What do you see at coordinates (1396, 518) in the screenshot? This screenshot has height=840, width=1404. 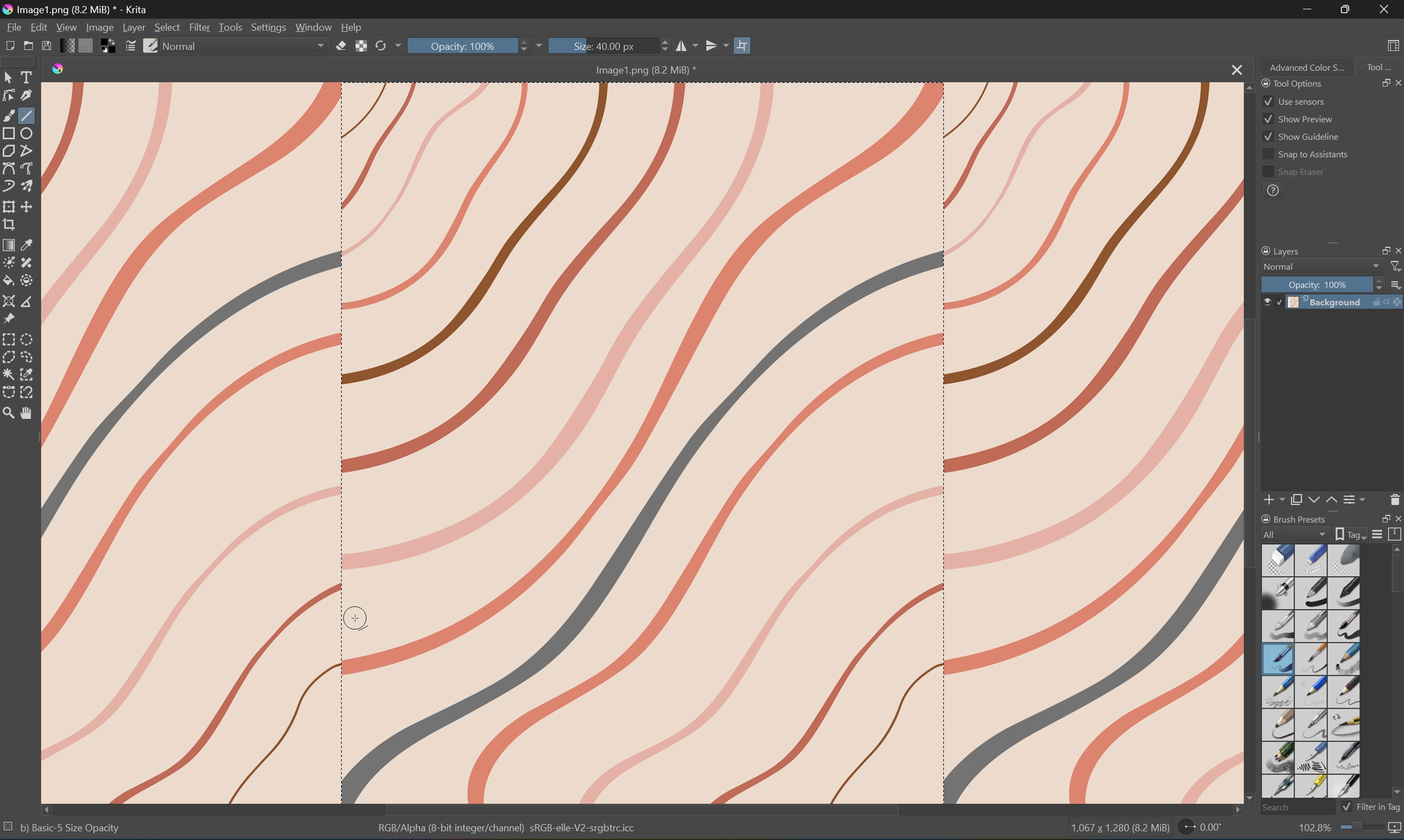 I see `Close` at bounding box center [1396, 518].